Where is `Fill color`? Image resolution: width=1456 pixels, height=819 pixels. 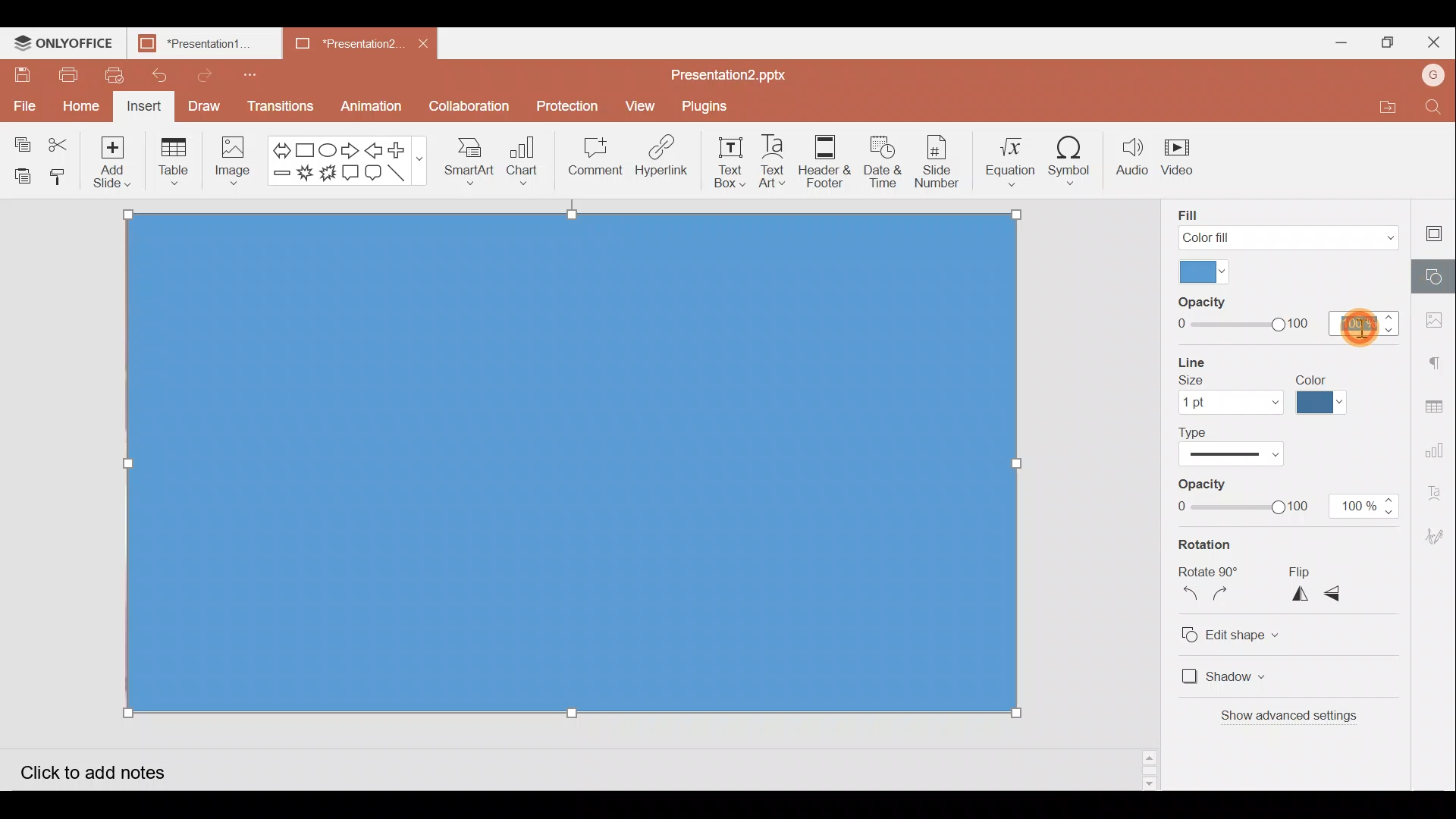
Fill color is located at coordinates (1202, 270).